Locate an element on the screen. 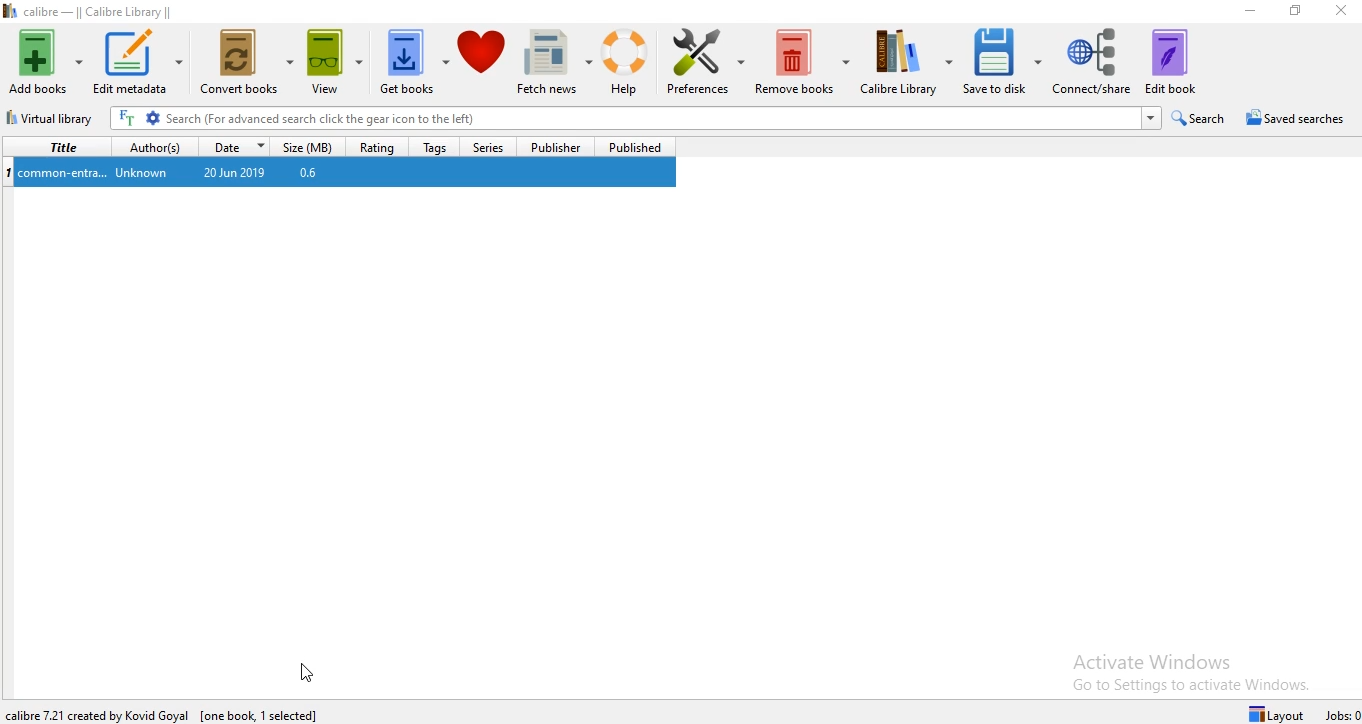 This screenshot has width=1362, height=724. Add books is located at coordinates (46, 58).